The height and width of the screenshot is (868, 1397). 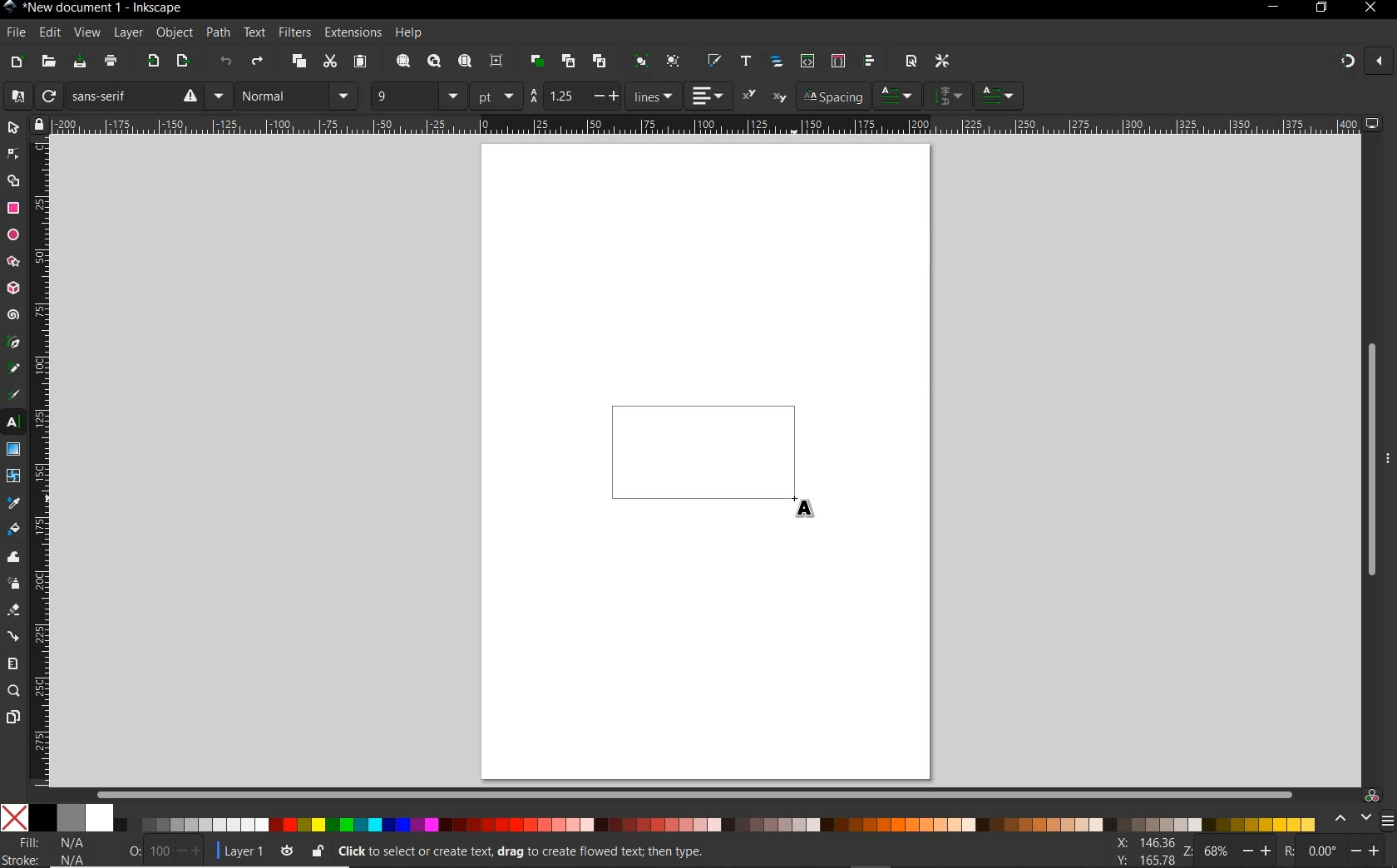 I want to click on lock or unlock, so click(x=317, y=851).